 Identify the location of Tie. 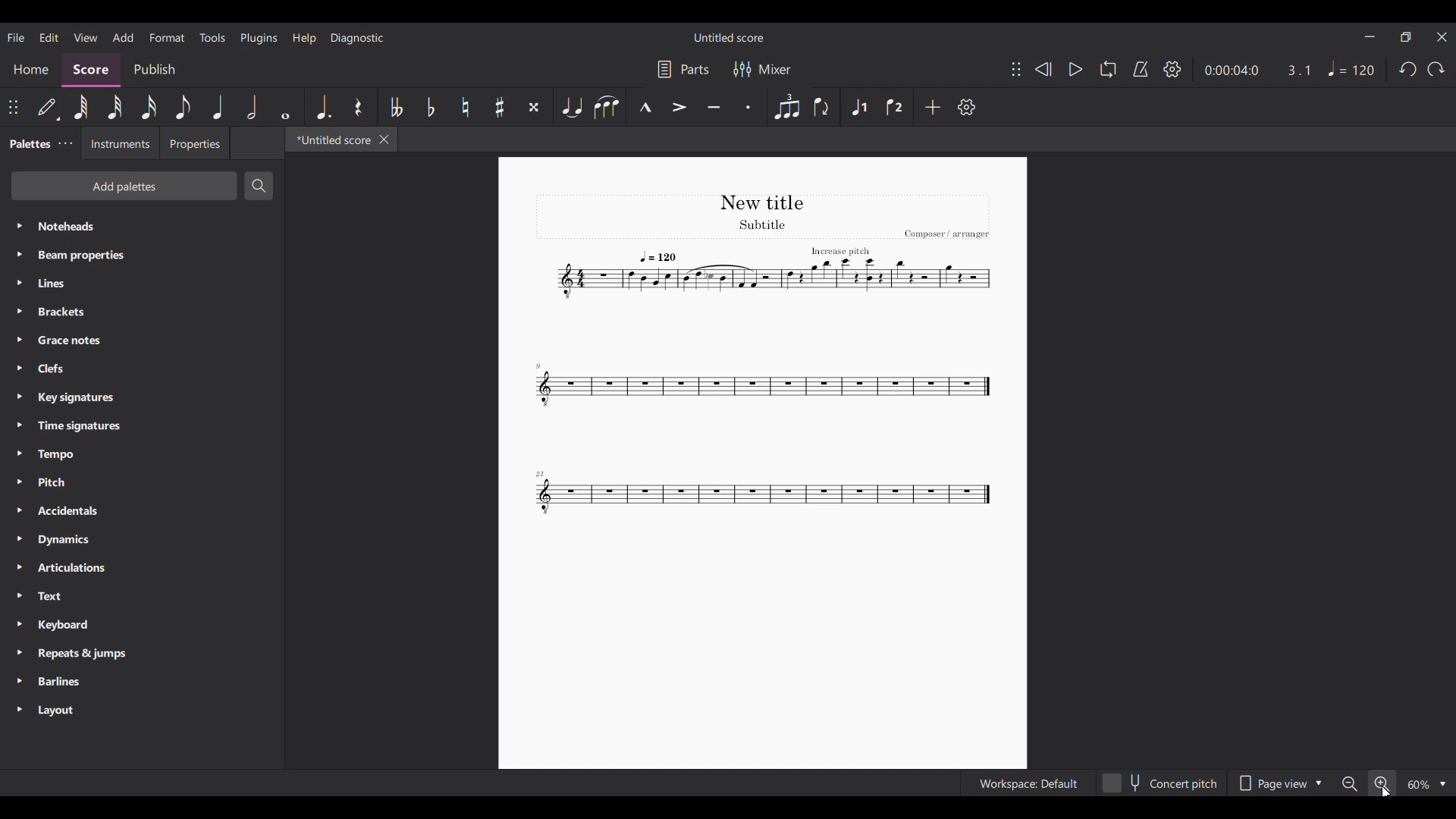
(571, 107).